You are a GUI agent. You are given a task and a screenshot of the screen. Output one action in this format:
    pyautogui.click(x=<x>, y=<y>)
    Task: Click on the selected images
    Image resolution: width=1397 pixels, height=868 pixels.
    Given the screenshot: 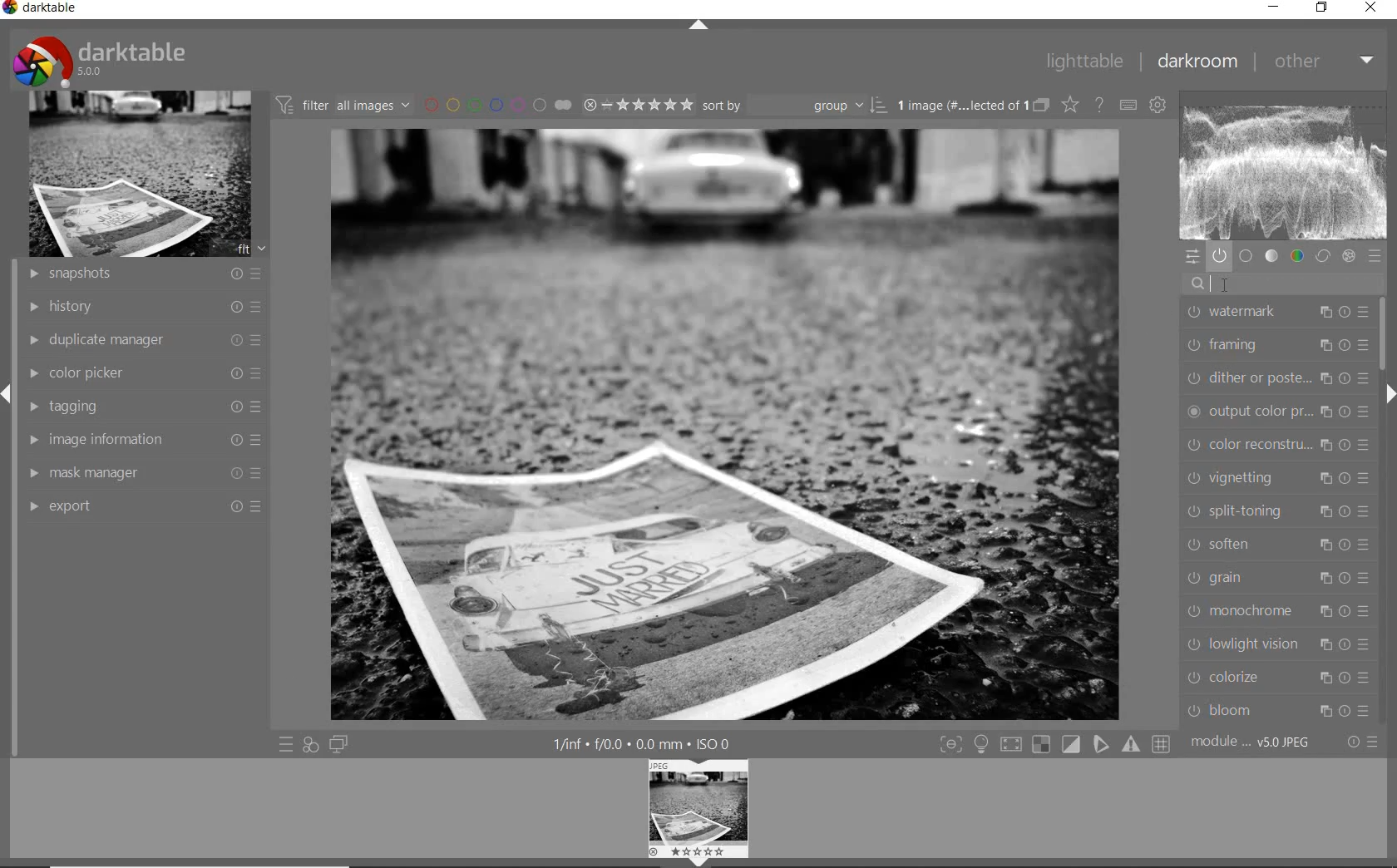 What is the action you would take?
    pyautogui.click(x=962, y=106)
    